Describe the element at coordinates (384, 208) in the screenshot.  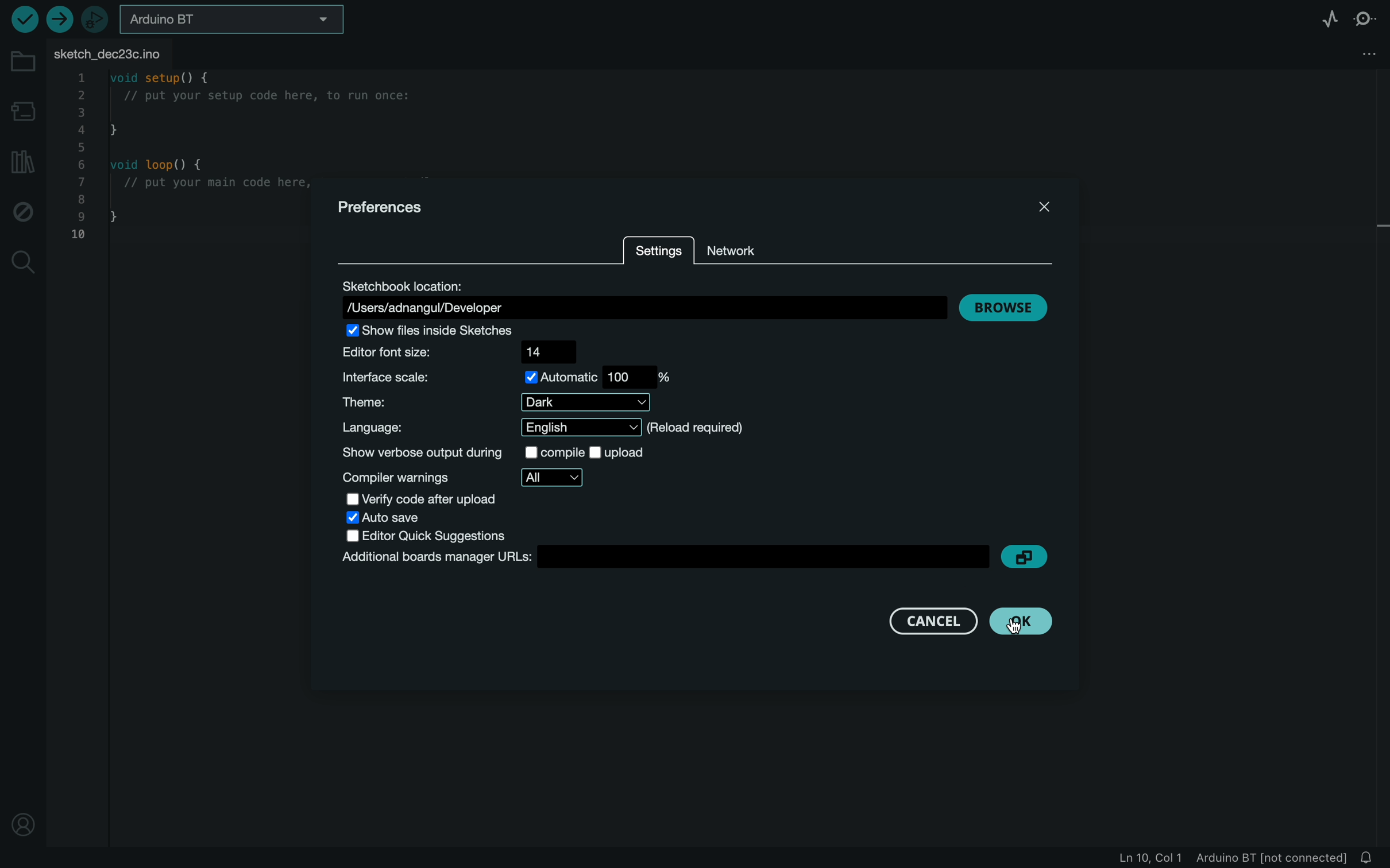
I see `preferences` at that location.